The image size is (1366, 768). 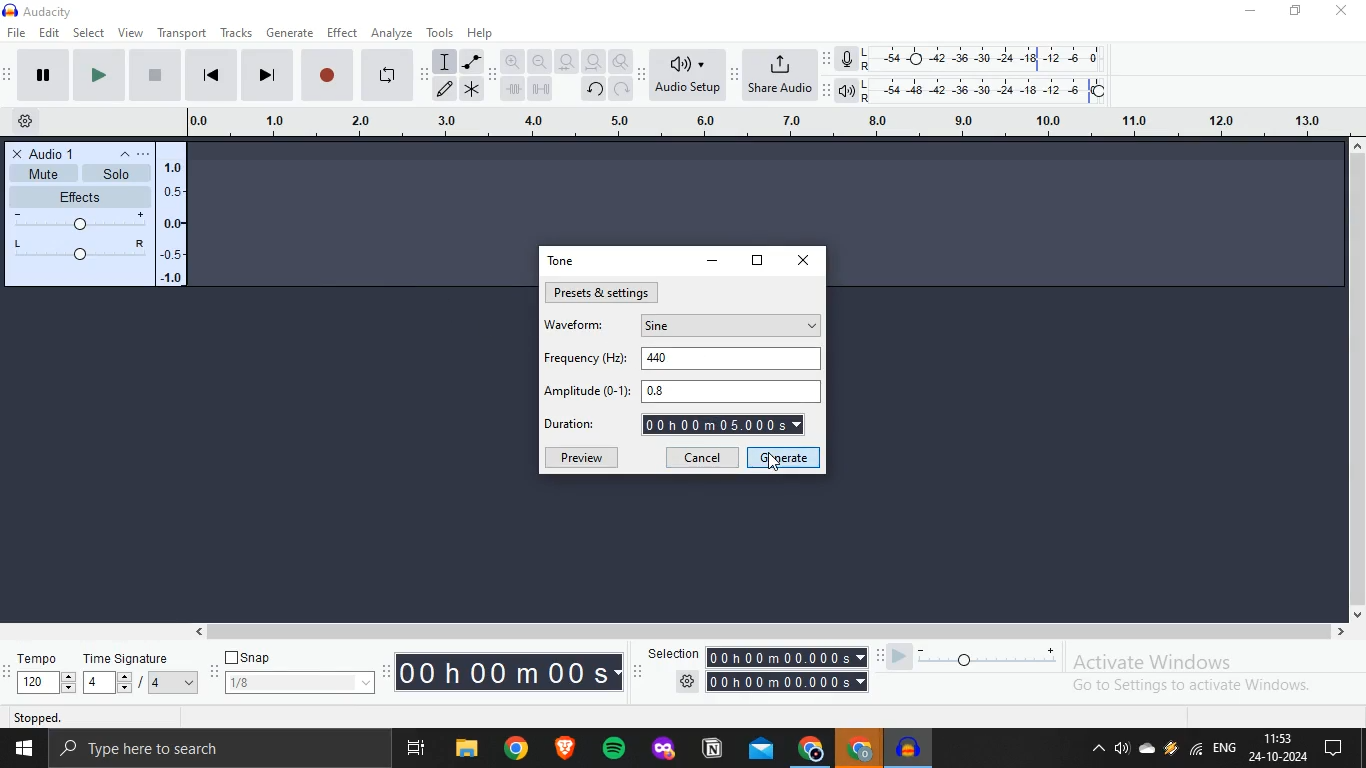 I want to click on Amplitude, so click(x=588, y=391).